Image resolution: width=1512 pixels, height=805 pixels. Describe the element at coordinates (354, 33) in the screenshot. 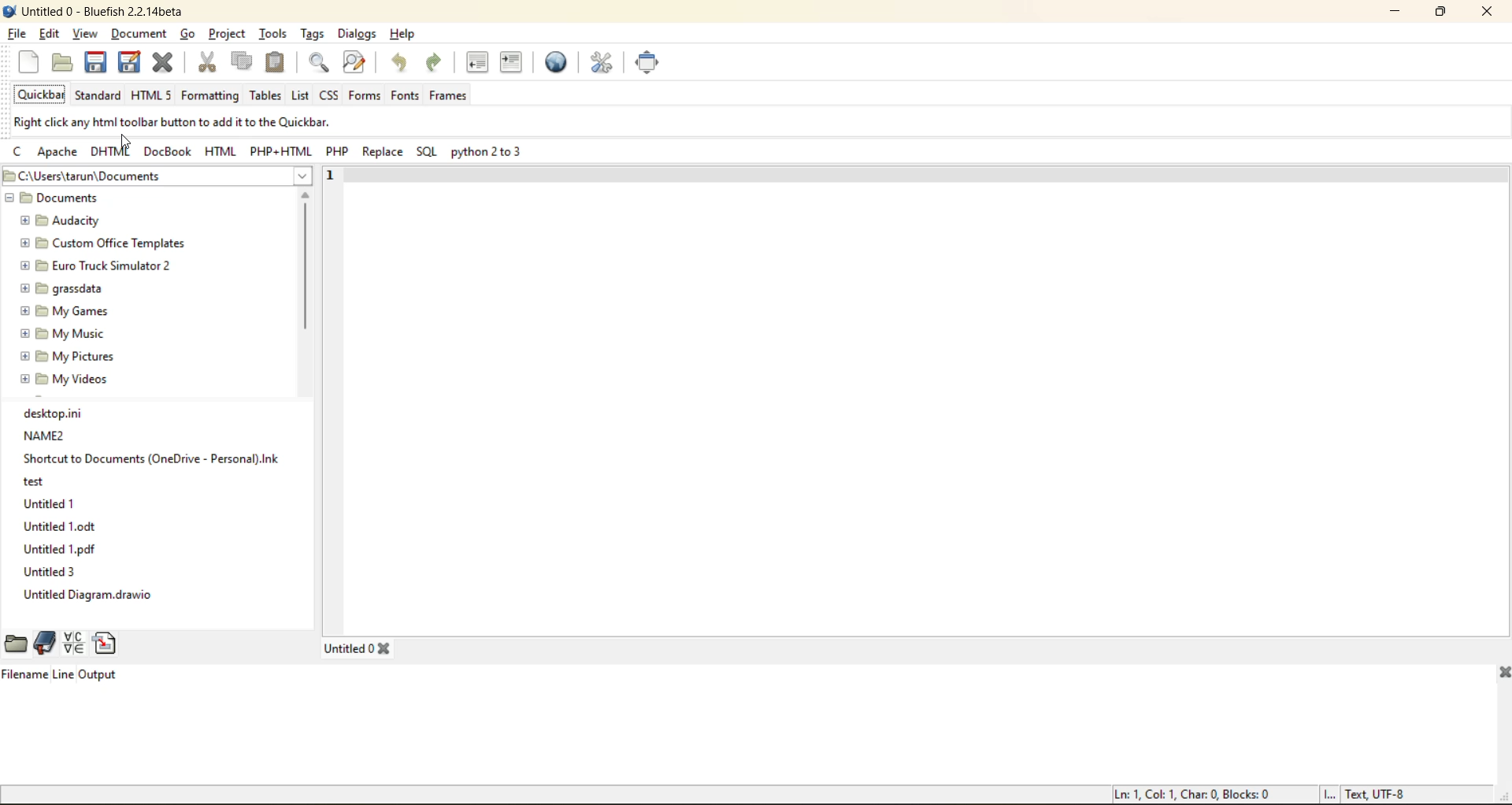

I see `dialogs` at that location.